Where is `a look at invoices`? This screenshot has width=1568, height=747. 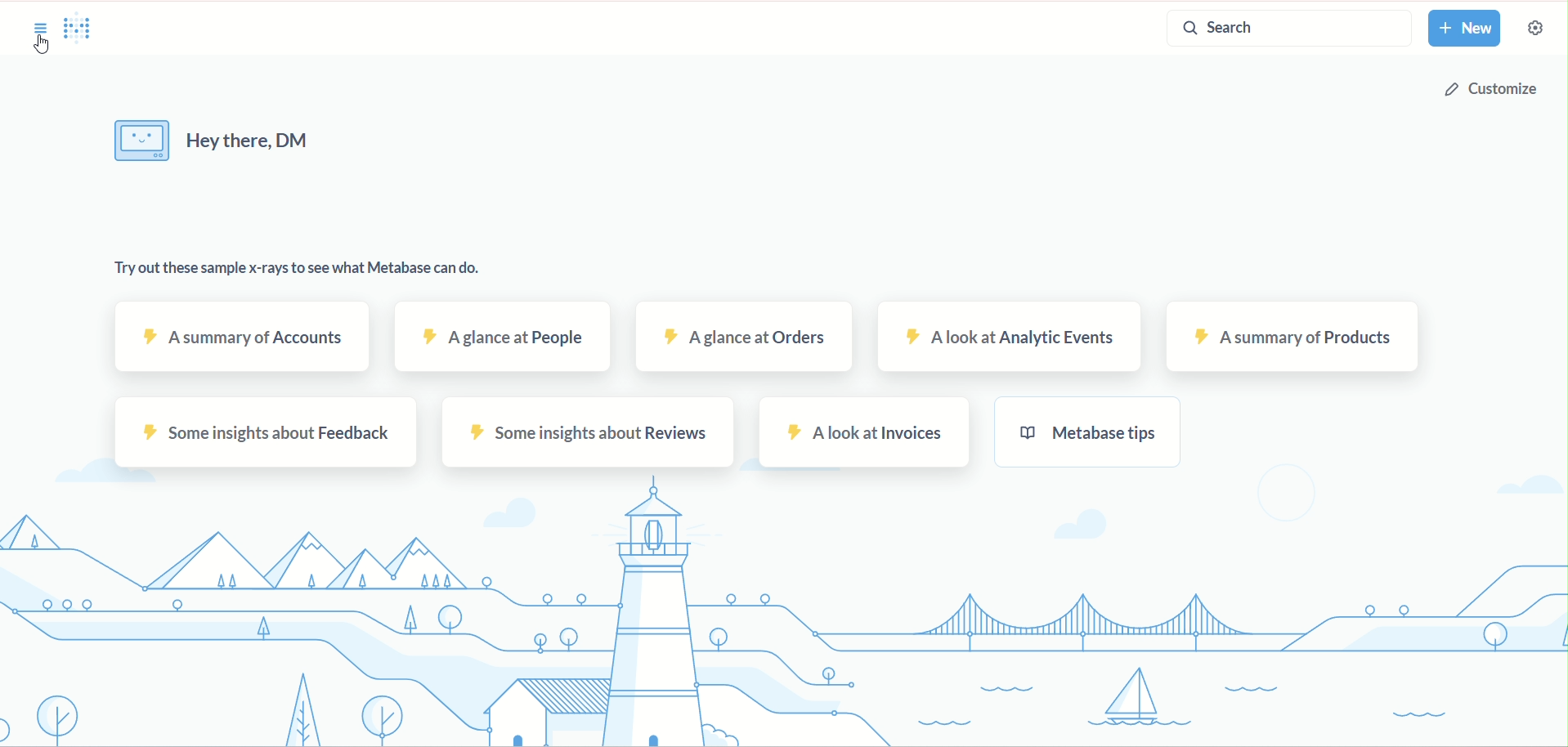
a look at invoices is located at coordinates (865, 432).